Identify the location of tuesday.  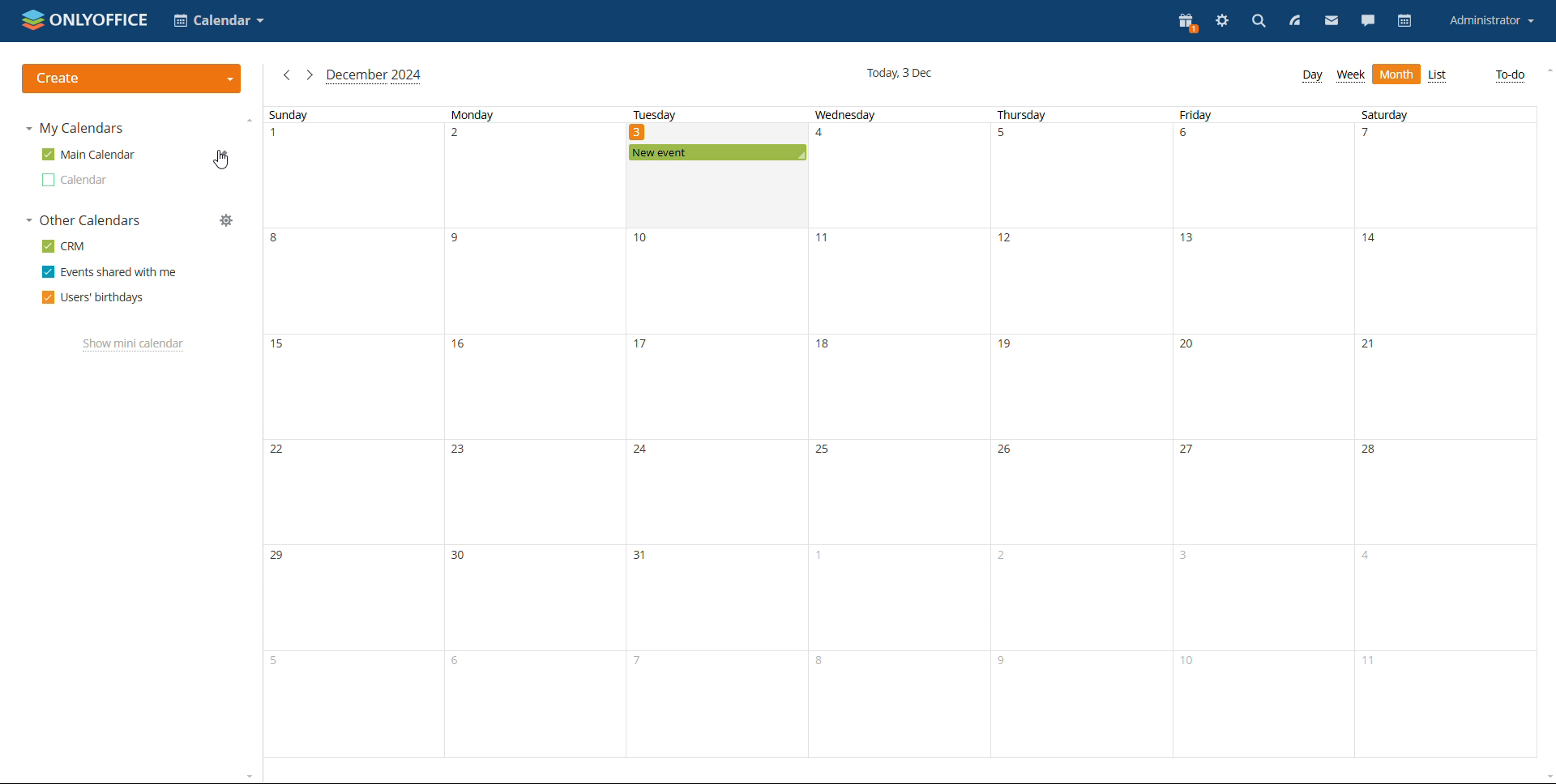
(695, 114).